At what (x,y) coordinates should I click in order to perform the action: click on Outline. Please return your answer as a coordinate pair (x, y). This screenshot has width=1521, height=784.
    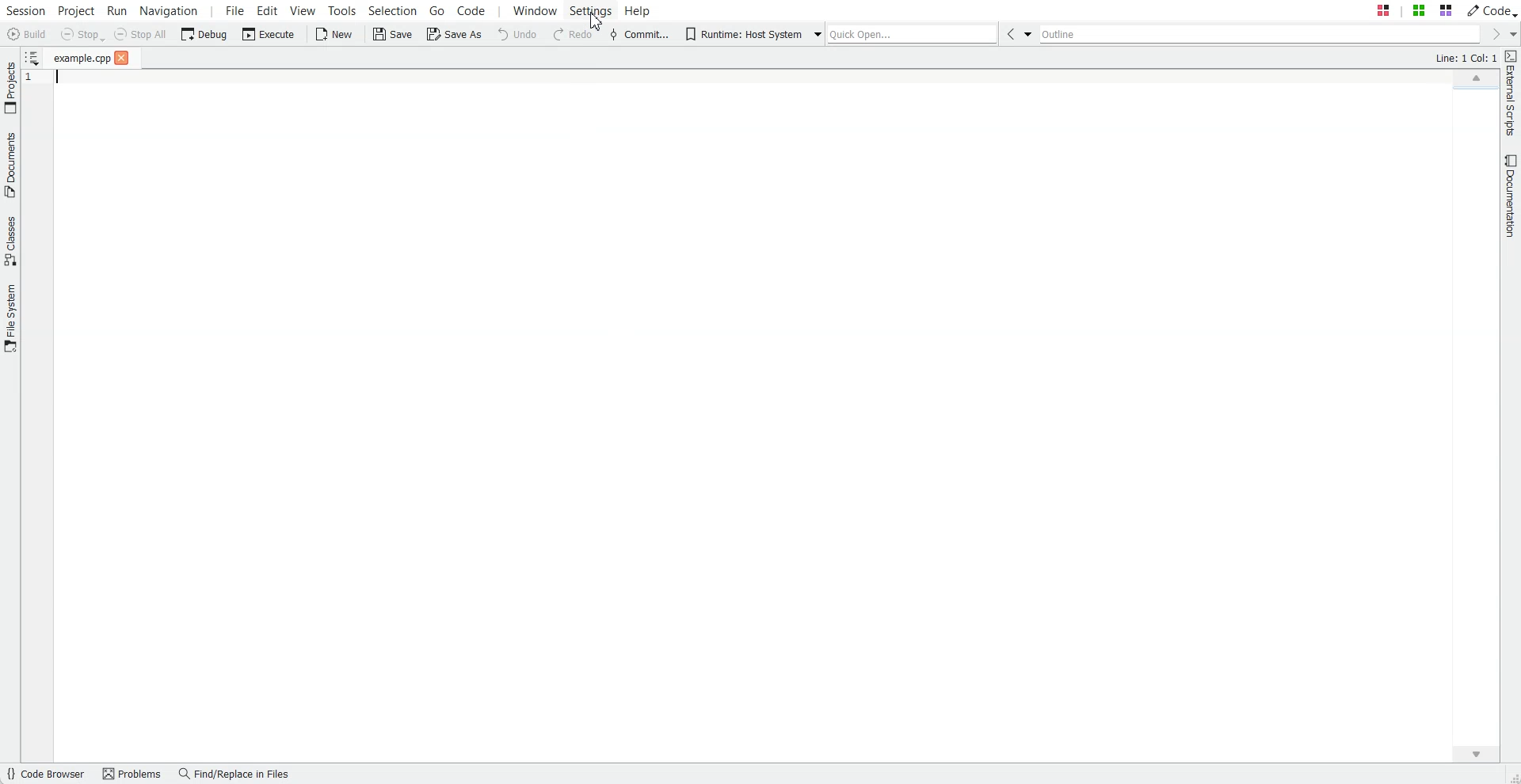
    Looking at the image, I should click on (1258, 34).